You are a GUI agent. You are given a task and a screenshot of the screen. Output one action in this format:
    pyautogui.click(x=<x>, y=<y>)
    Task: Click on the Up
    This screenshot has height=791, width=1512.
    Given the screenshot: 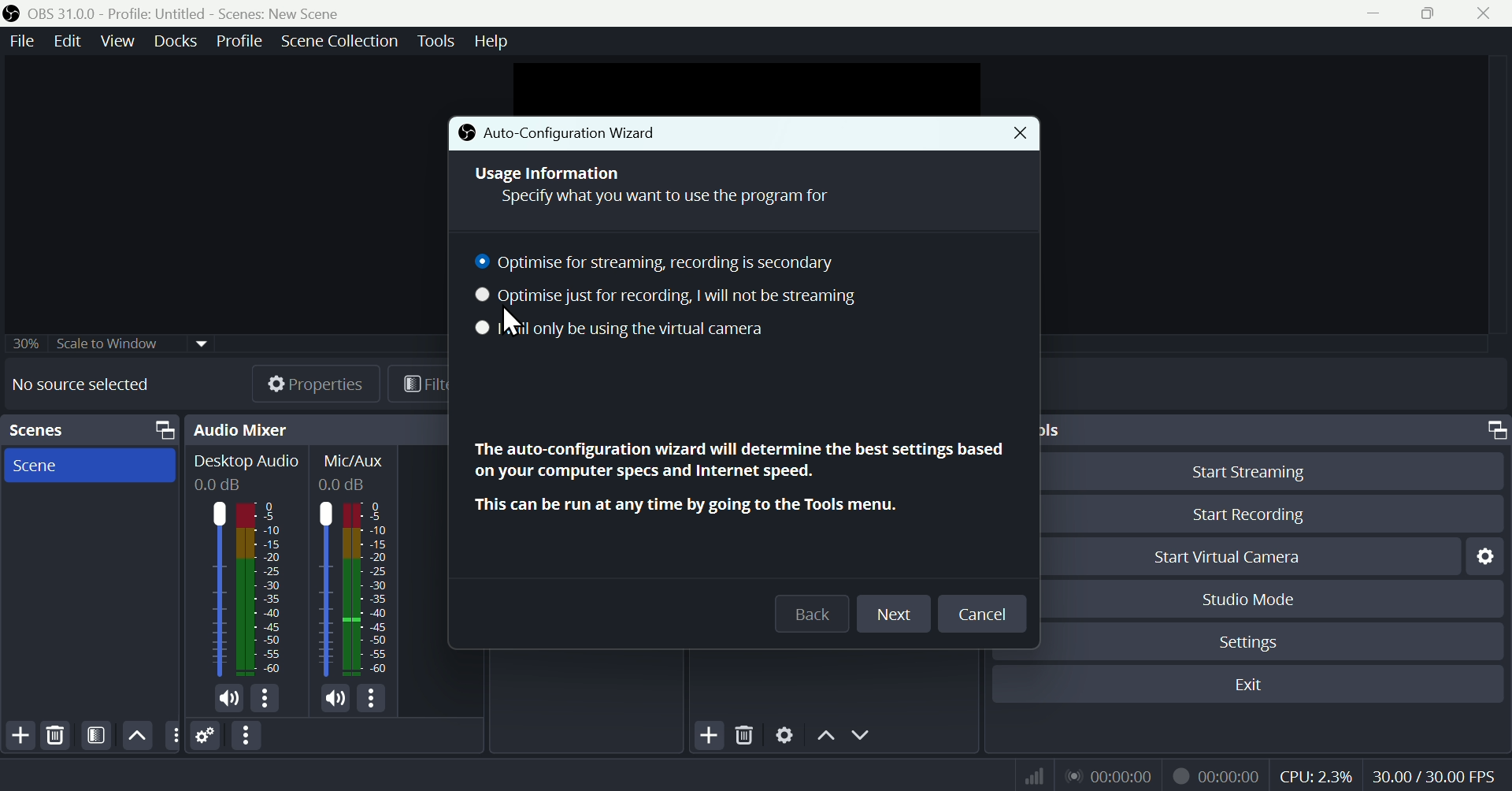 What is the action you would take?
    pyautogui.click(x=137, y=735)
    